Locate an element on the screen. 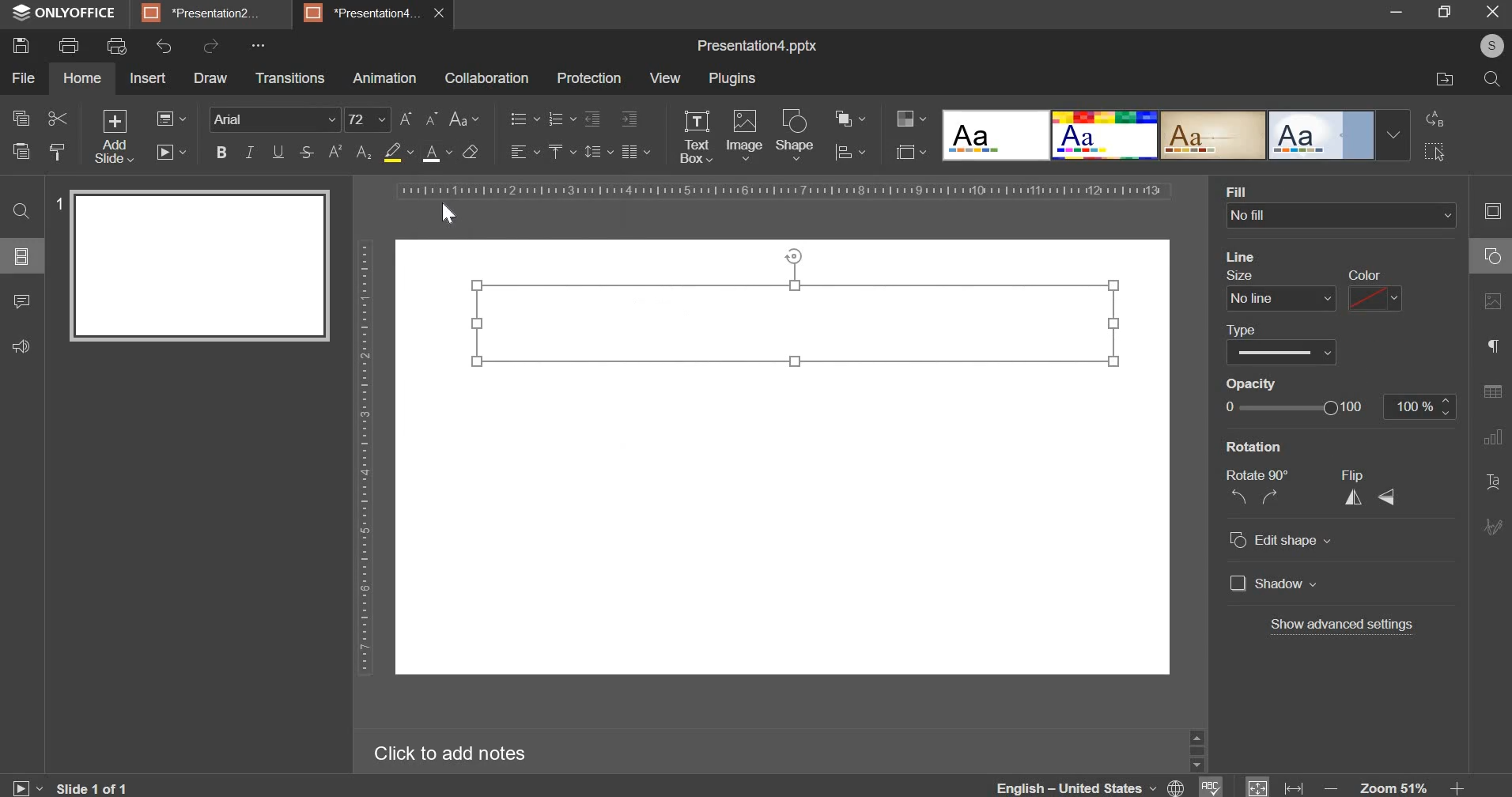  opacity slider is located at coordinates (1292, 408).